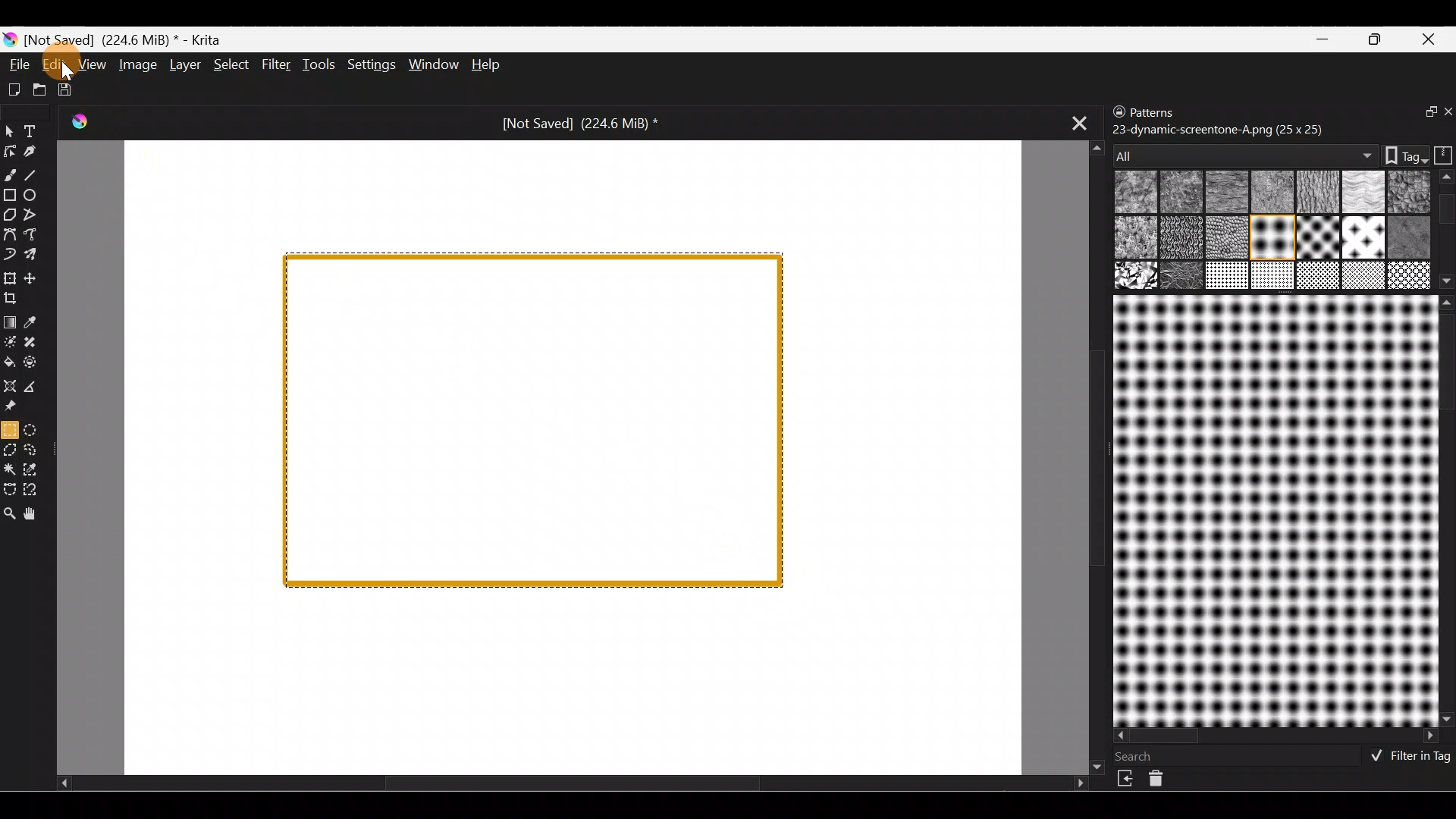  Describe the element at coordinates (1409, 275) in the screenshot. I see `19 texture_vegetal.png` at that location.